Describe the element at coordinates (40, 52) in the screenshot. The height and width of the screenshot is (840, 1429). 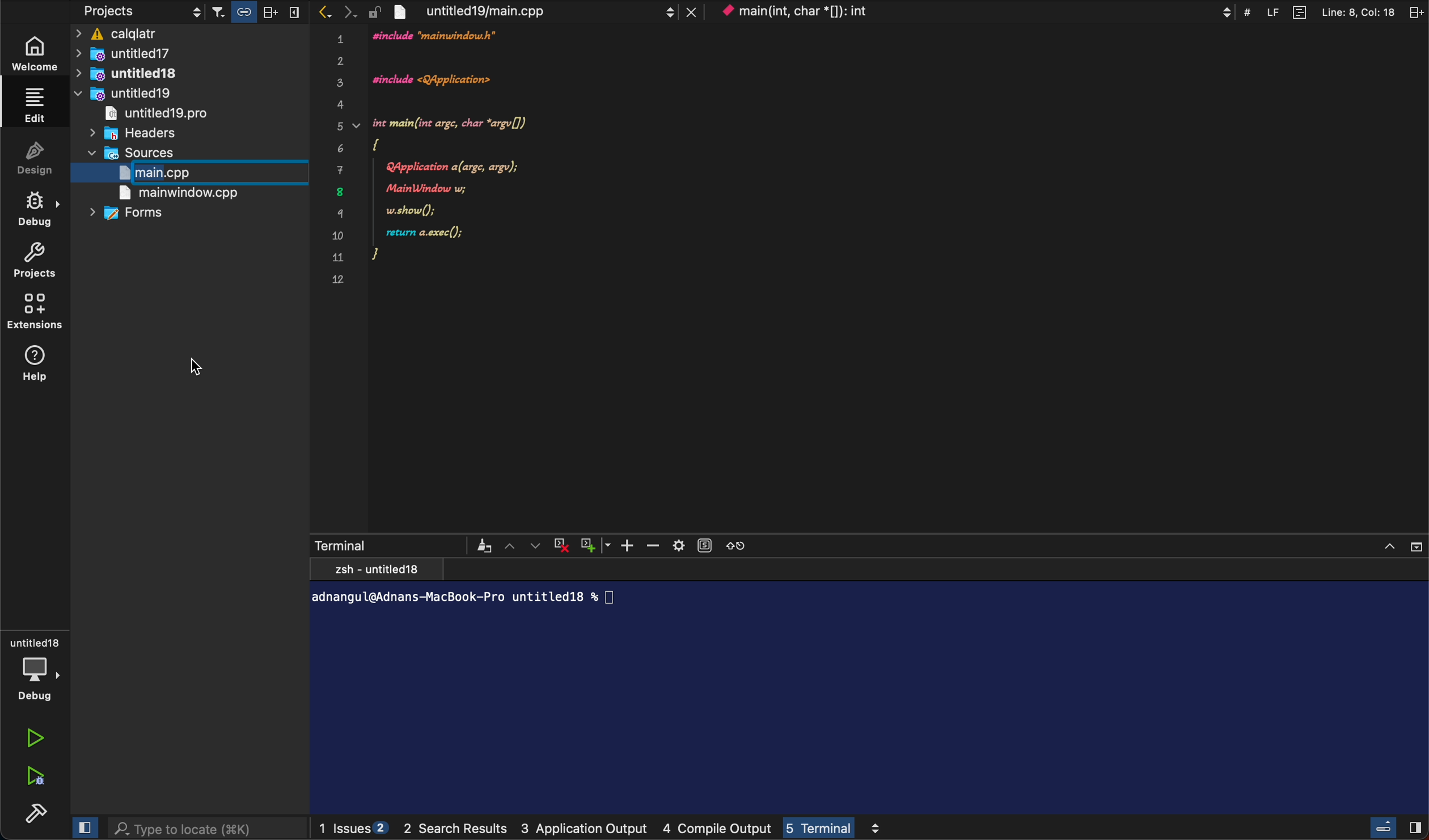
I see `weLcome` at that location.